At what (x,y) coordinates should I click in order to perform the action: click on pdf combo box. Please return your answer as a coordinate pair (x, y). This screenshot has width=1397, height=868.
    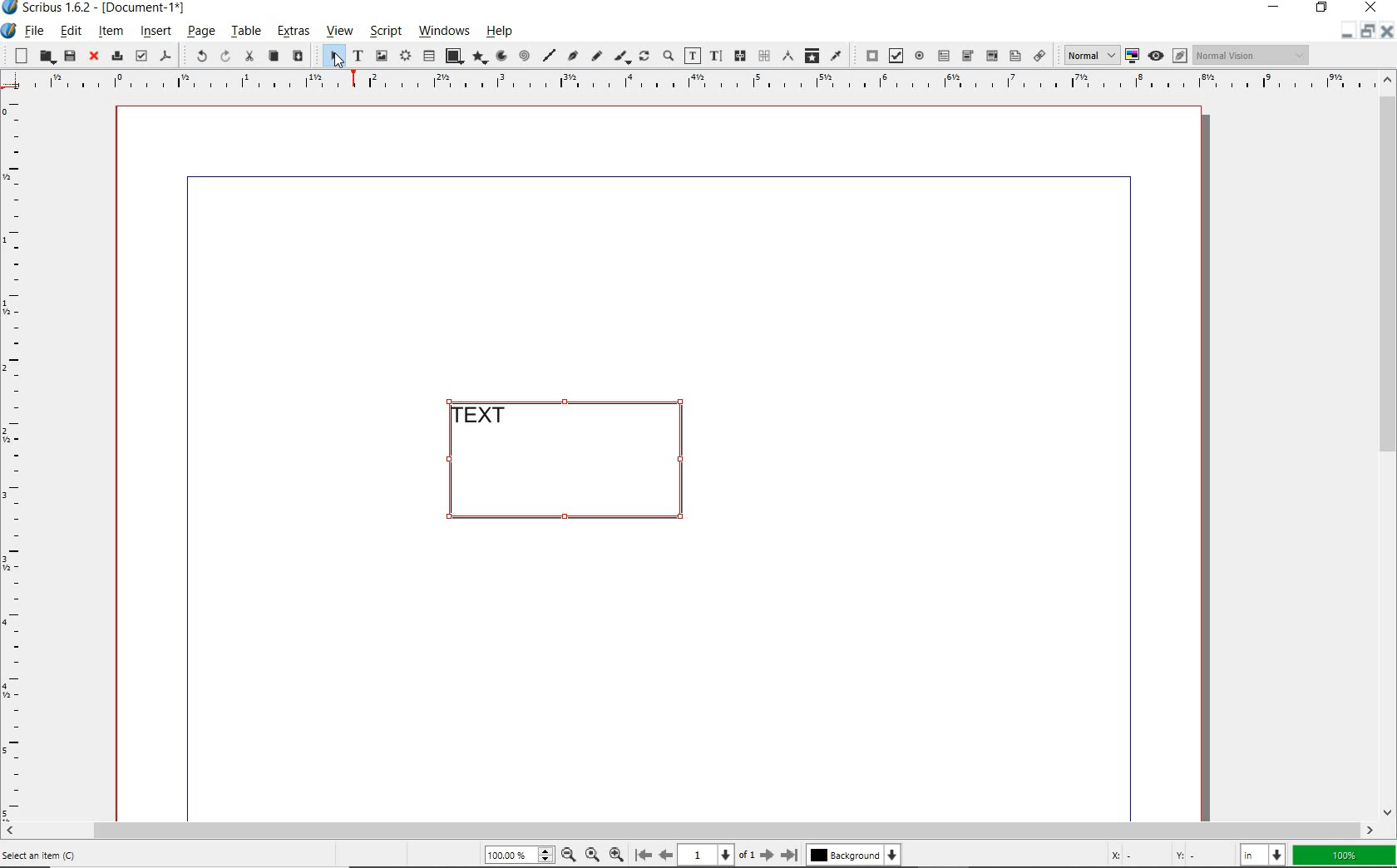
    Looking at the image, I should click on (967, 57).